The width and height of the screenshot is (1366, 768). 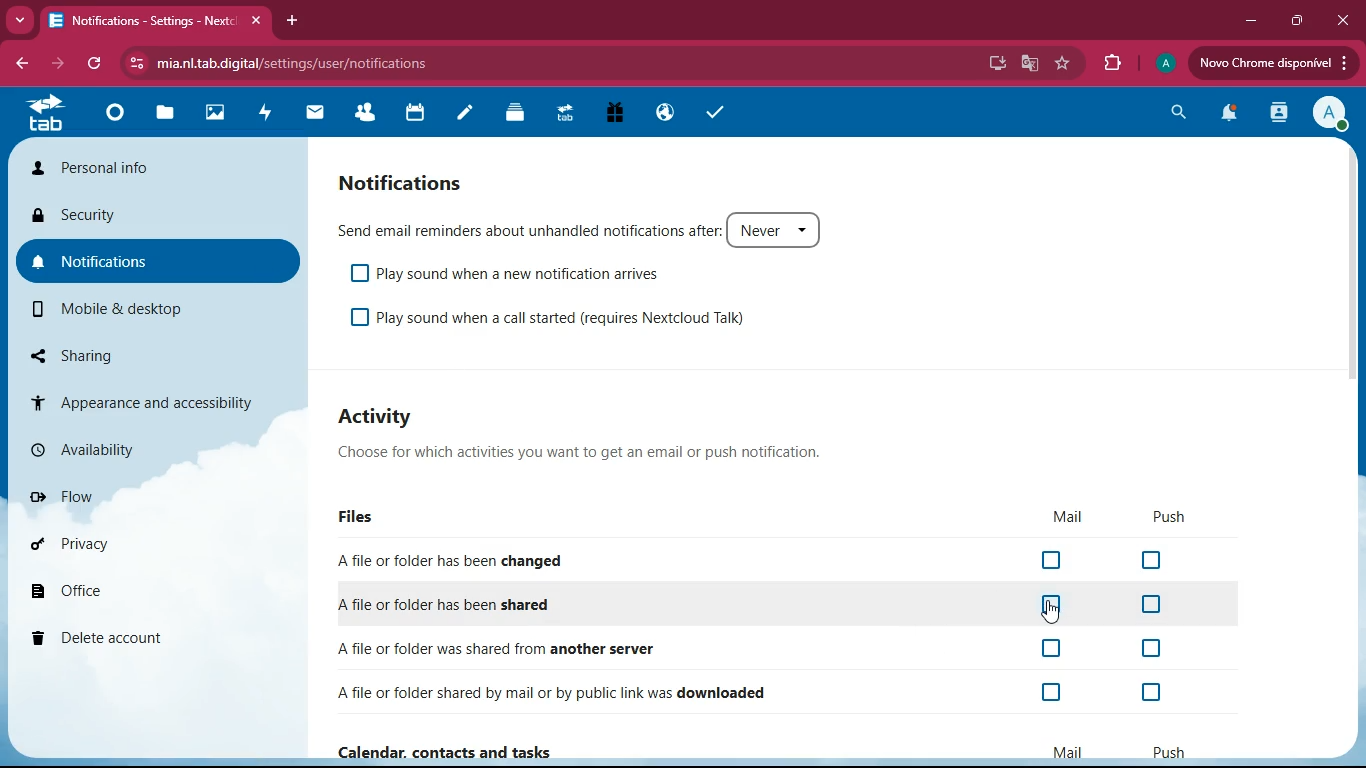 I want to click on forward, so click(x=50, y=64).